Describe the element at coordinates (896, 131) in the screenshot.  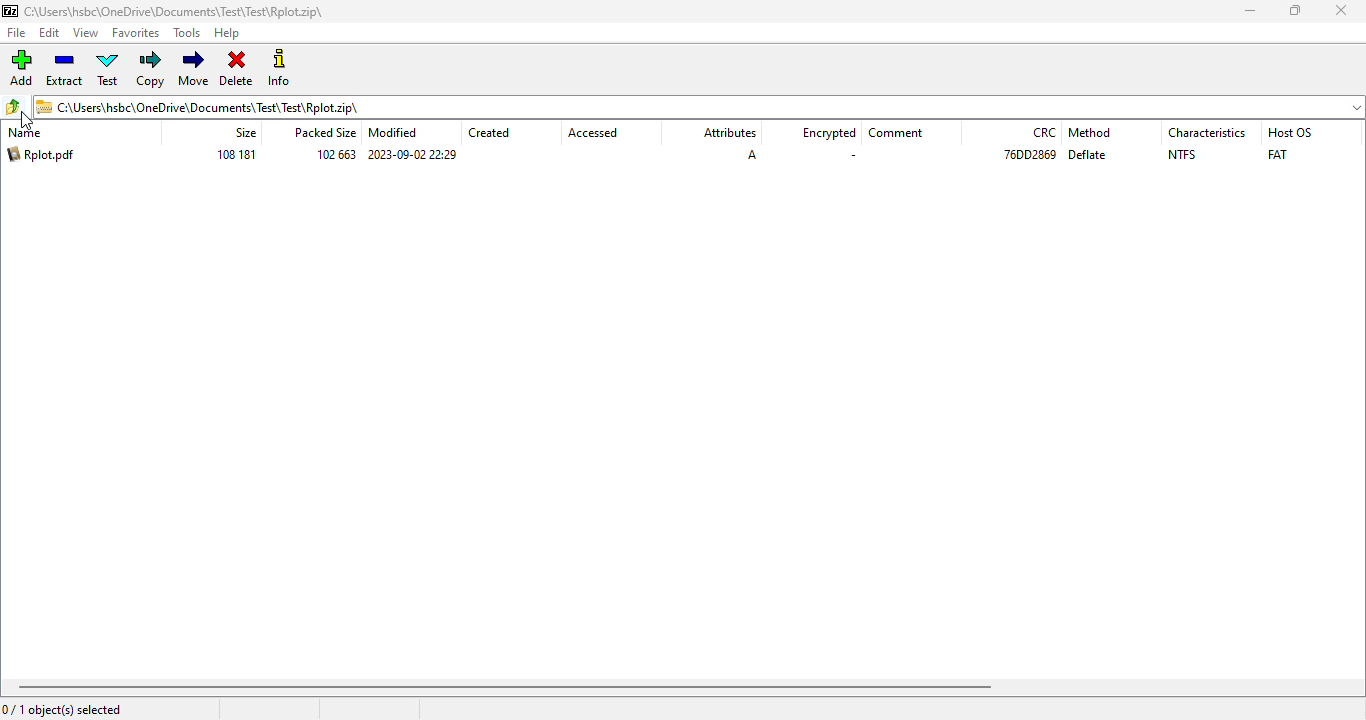
I see `comment` at that location.